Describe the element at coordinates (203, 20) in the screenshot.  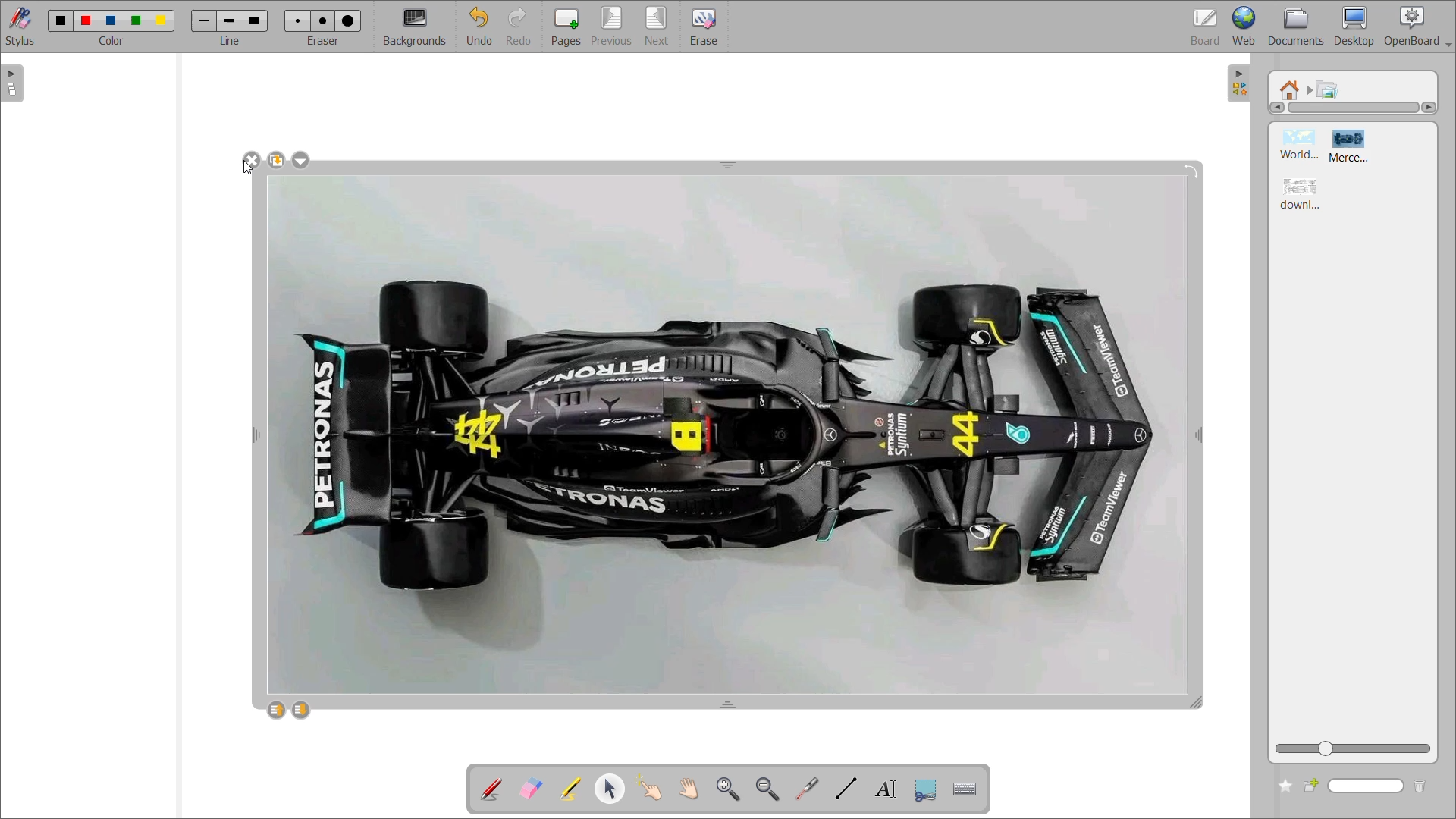
I see `line 1` at that location.